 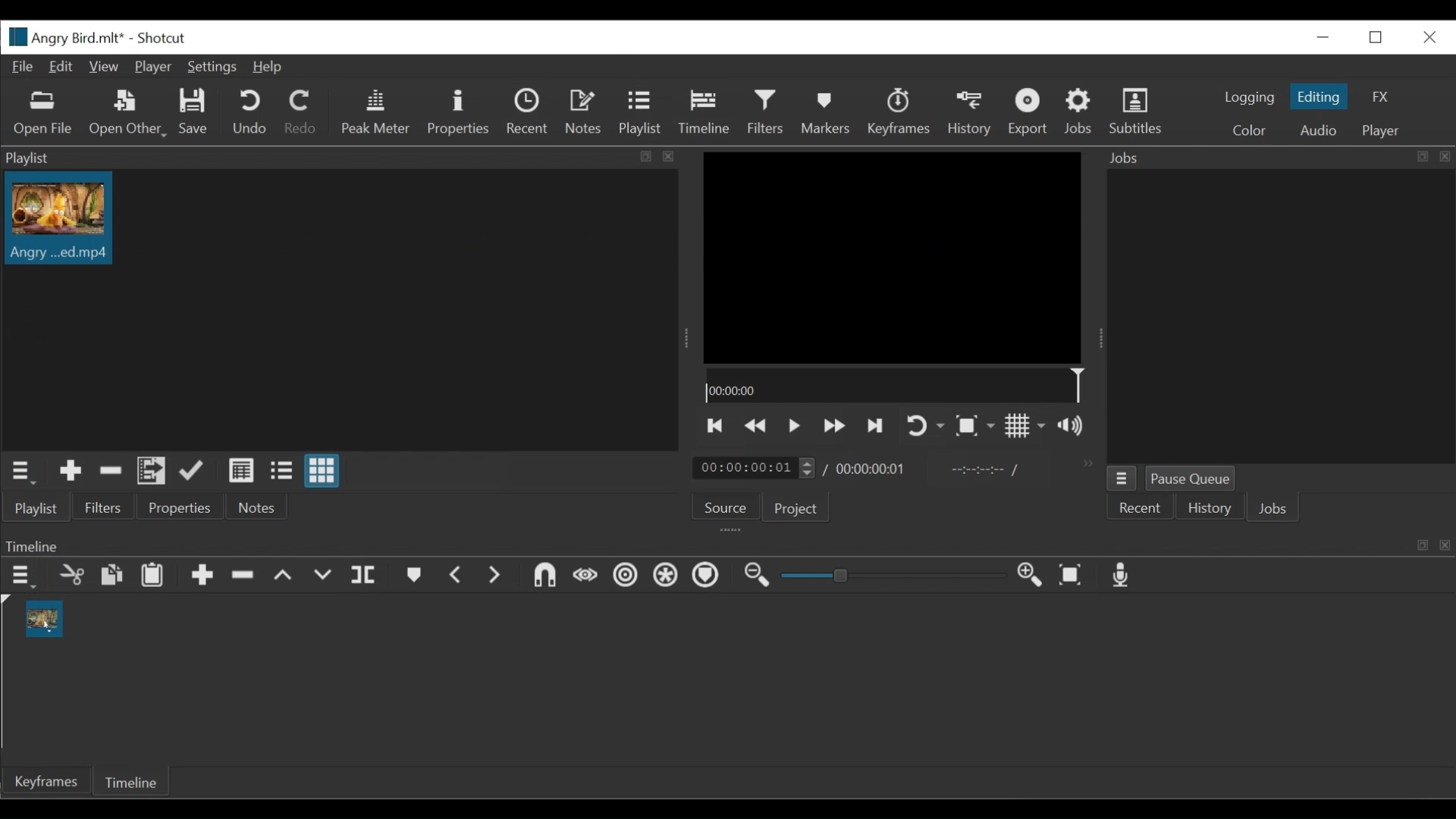 I want to click on logging, so click(x=1247, y=98).